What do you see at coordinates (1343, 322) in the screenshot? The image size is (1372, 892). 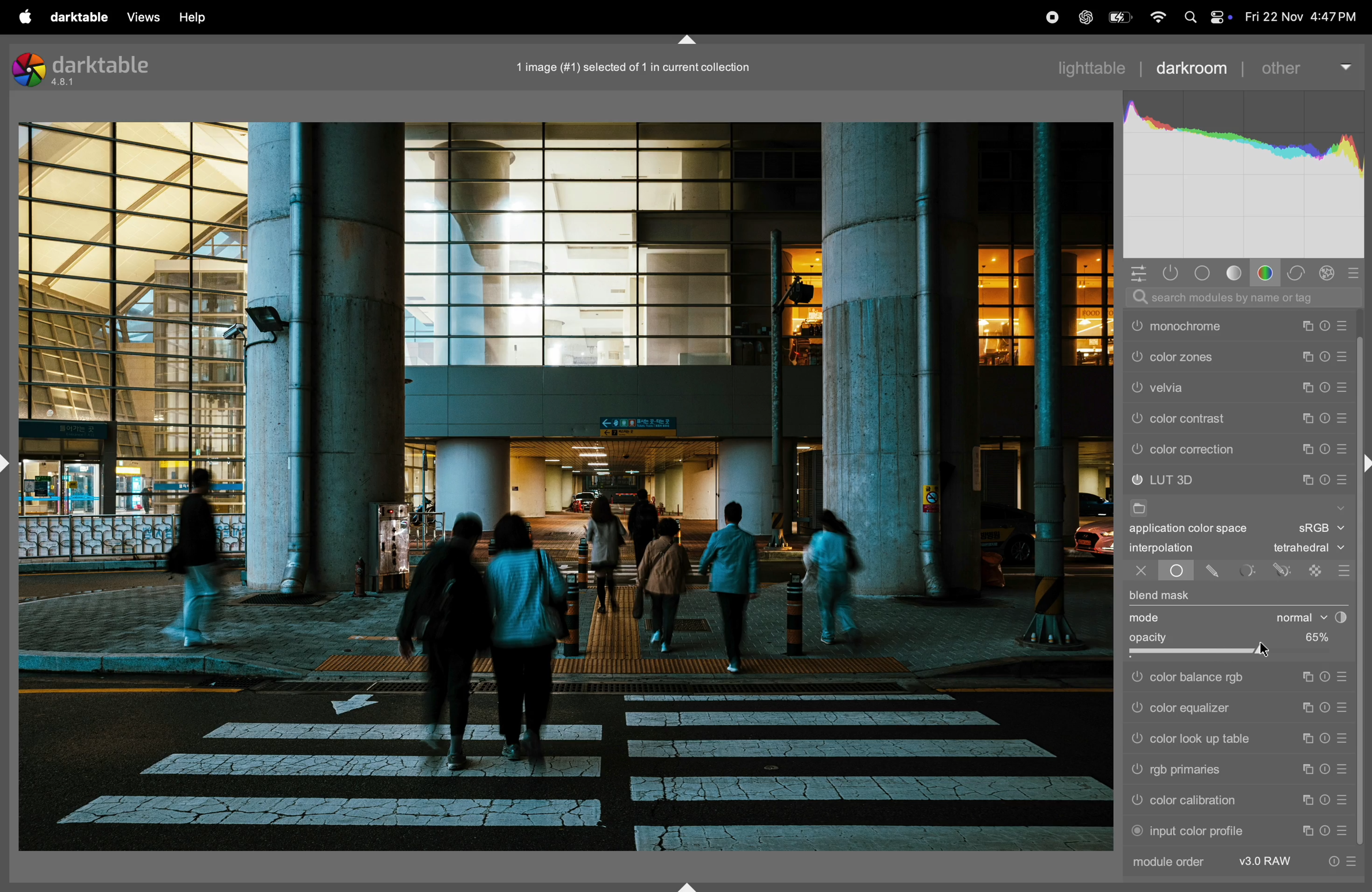 I see `presets` at bounding box center [1343, 322].